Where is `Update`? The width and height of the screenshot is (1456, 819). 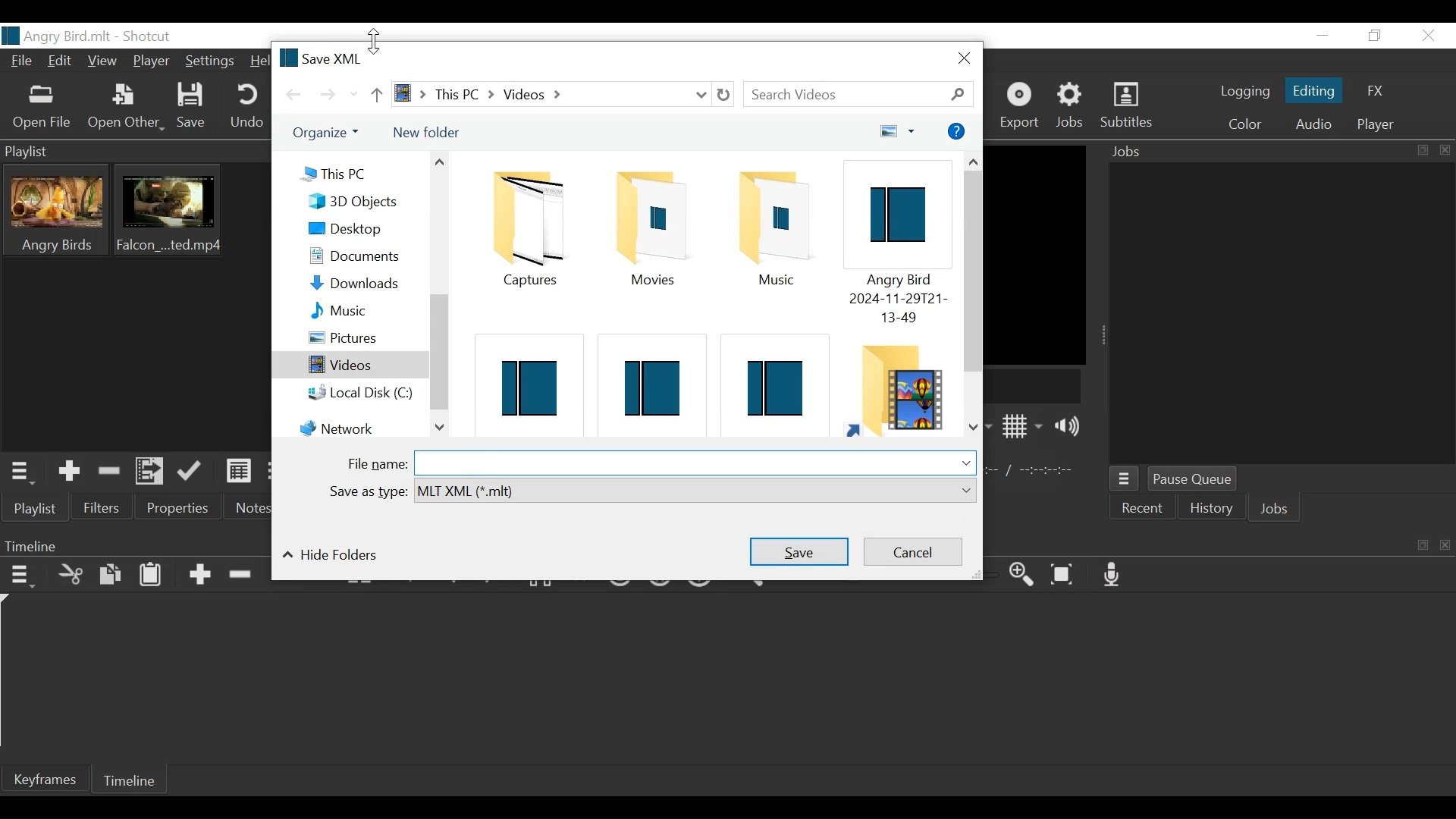
Update is located at coordinates (190, 472).